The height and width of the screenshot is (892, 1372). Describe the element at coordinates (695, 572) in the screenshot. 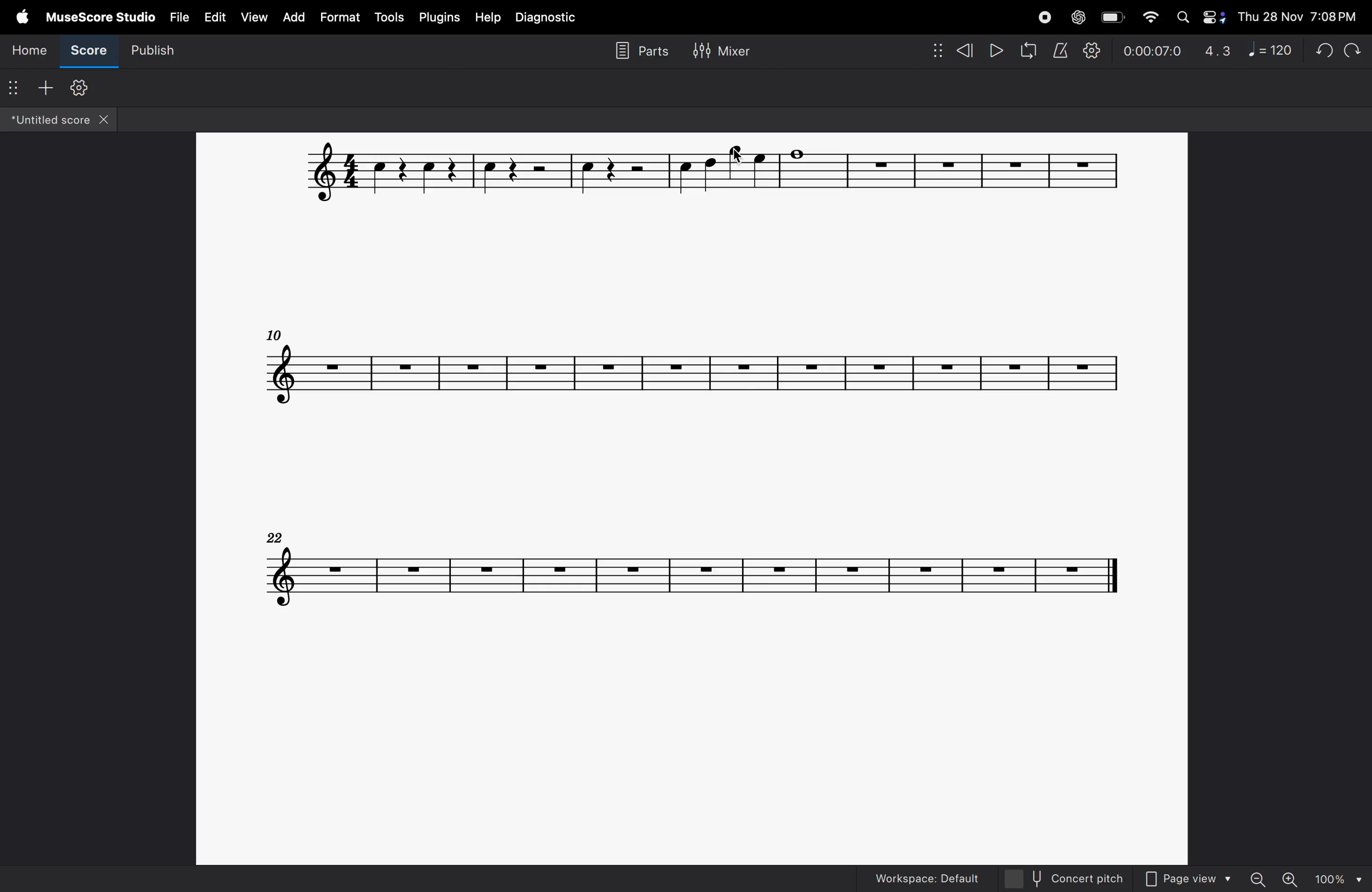

I see `notes` at that location.